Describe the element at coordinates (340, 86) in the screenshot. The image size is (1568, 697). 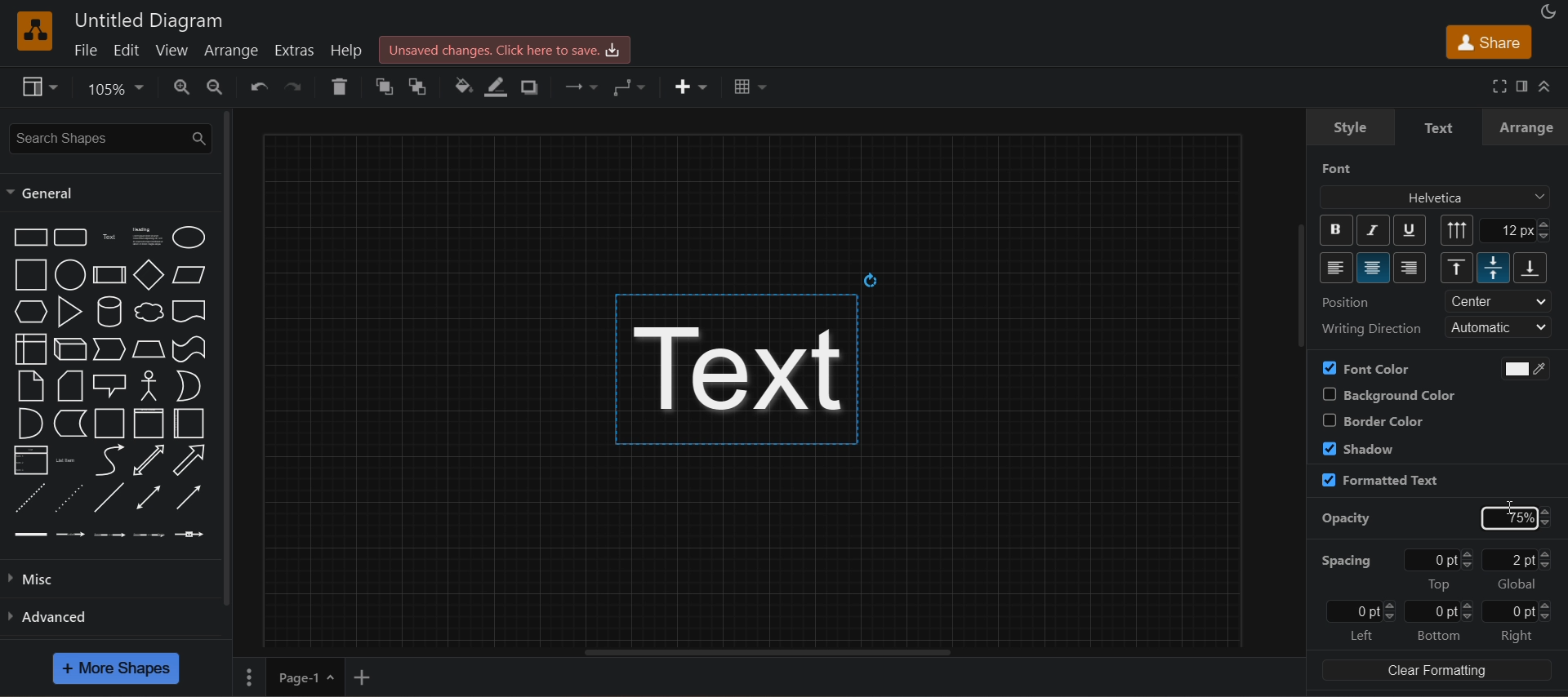
I see `delete` at that location.